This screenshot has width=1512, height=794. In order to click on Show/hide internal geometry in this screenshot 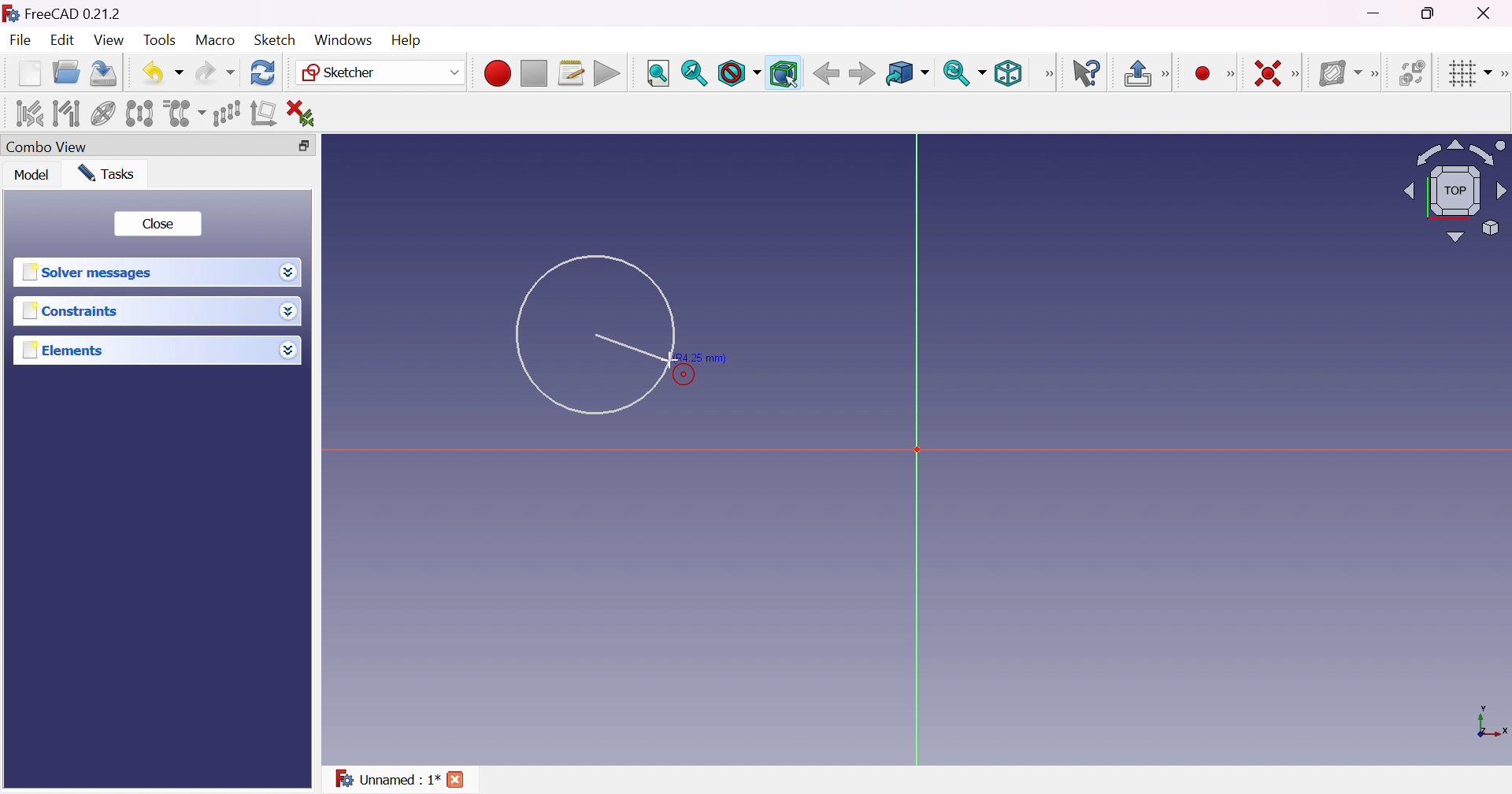, I will do `click(104, 113)`.